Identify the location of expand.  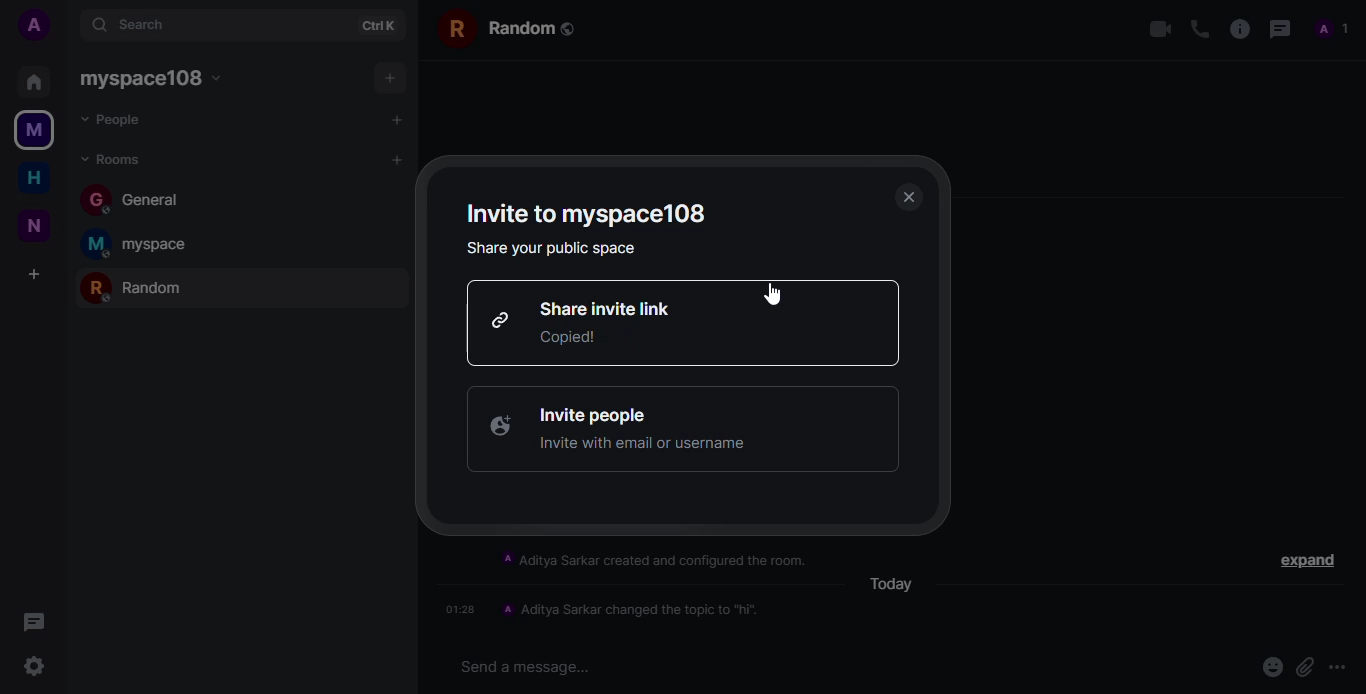
(1302, 559).